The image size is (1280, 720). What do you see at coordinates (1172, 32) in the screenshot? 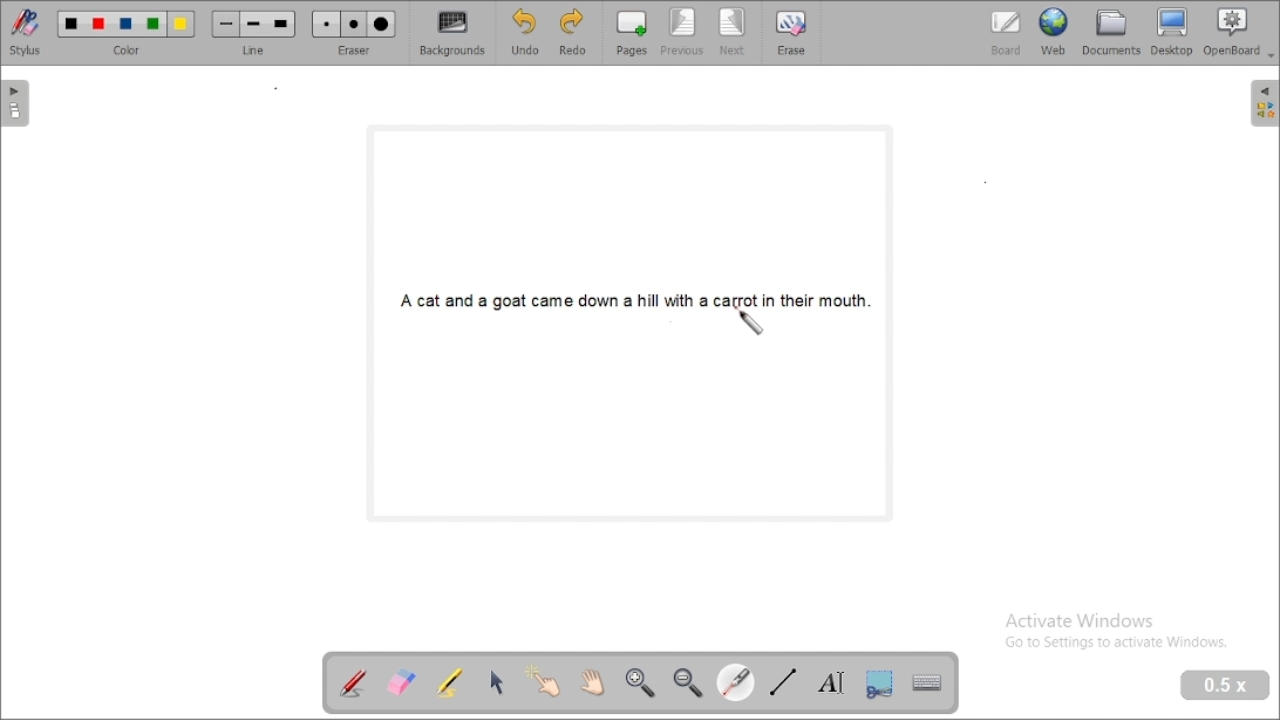
I see `desktop` at bounding box center [1172, 32].